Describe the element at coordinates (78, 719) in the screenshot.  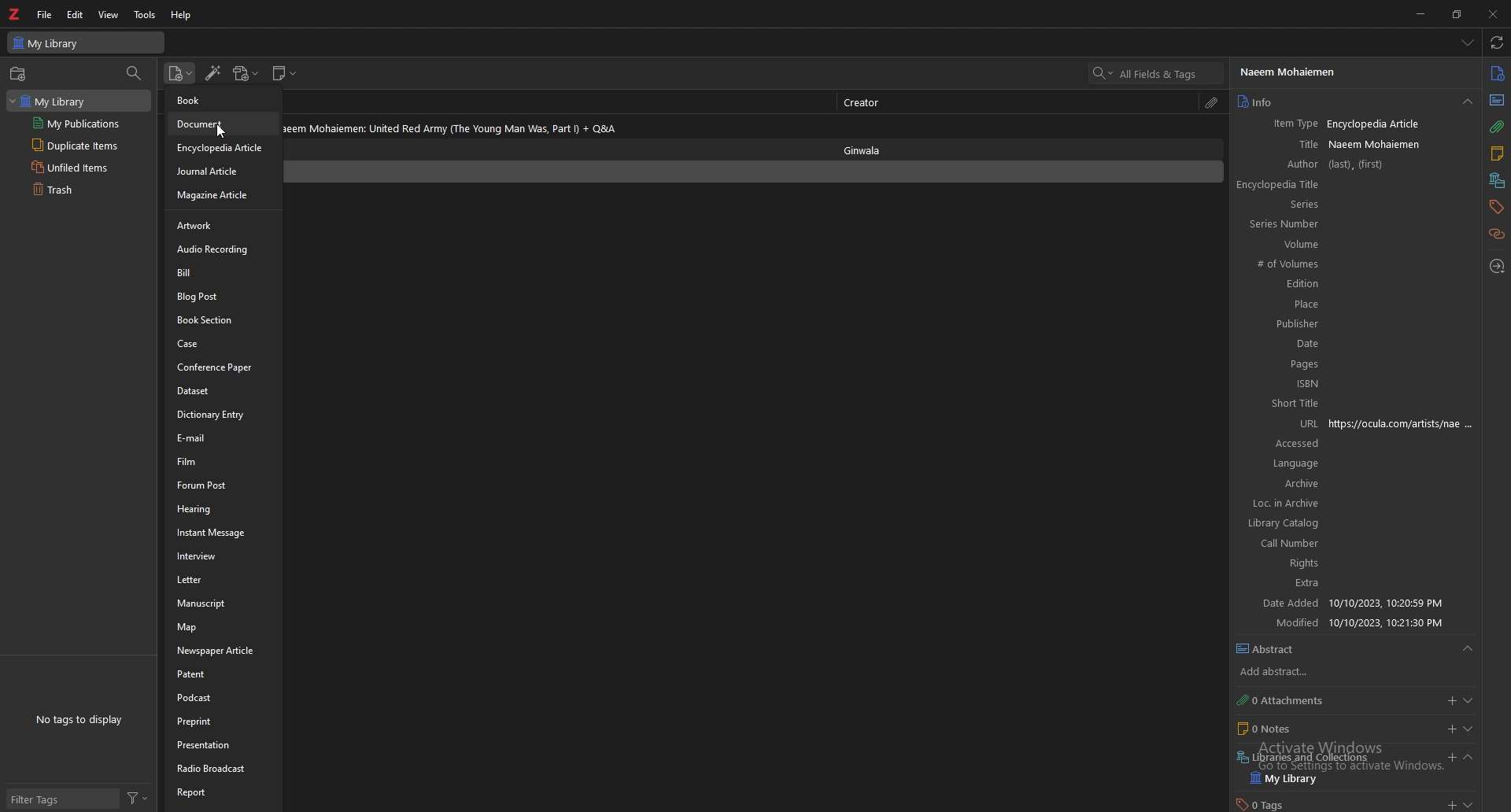
I see `no tags to display` at that location.